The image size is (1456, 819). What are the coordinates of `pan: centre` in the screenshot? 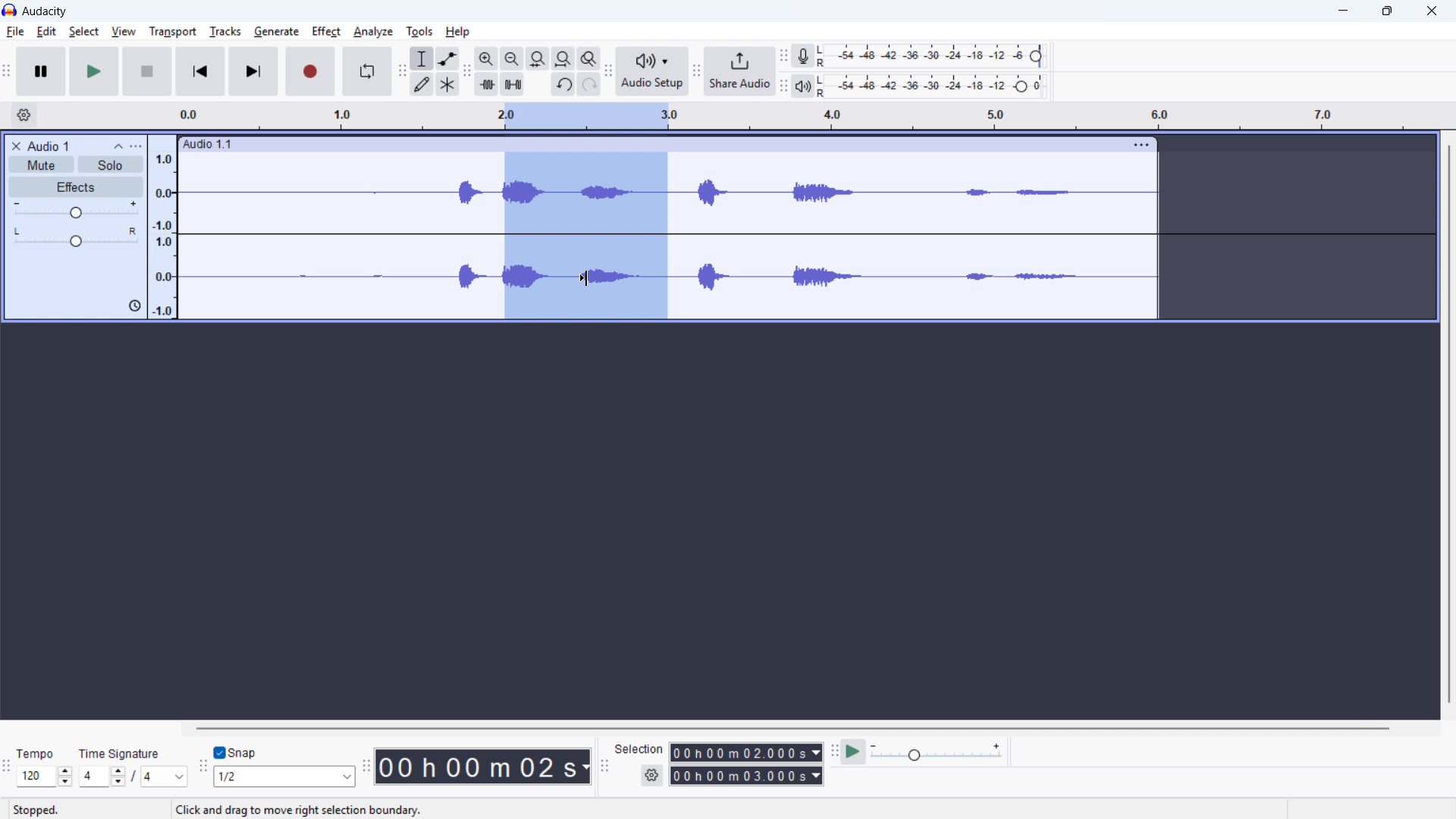 It's located at (76, 237).